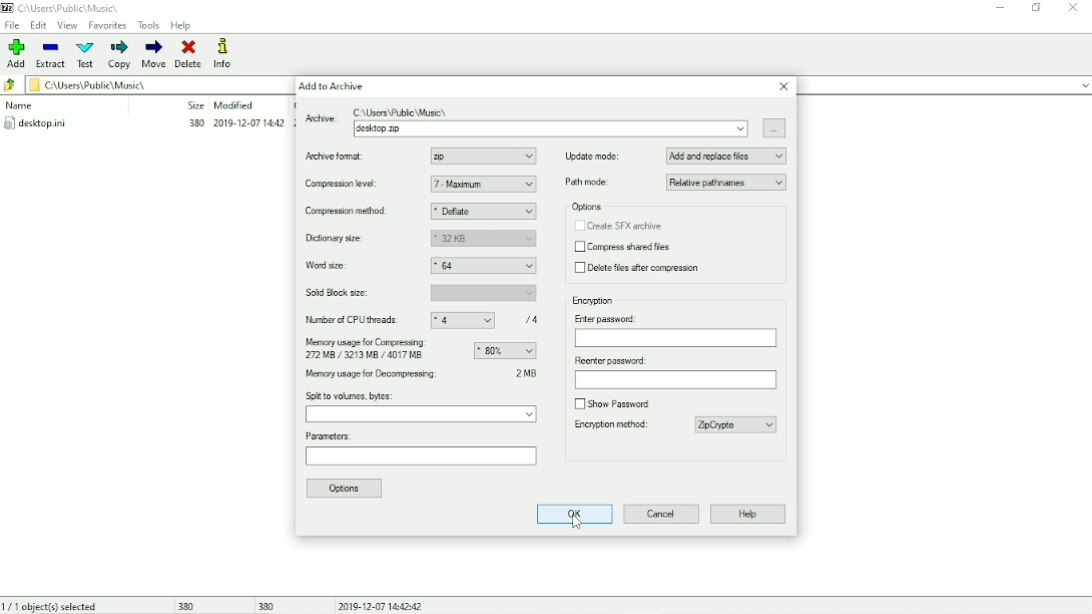  Describe the element at coordinates (422, 408) in the screenshot. I see `Split to volumes` at that location.